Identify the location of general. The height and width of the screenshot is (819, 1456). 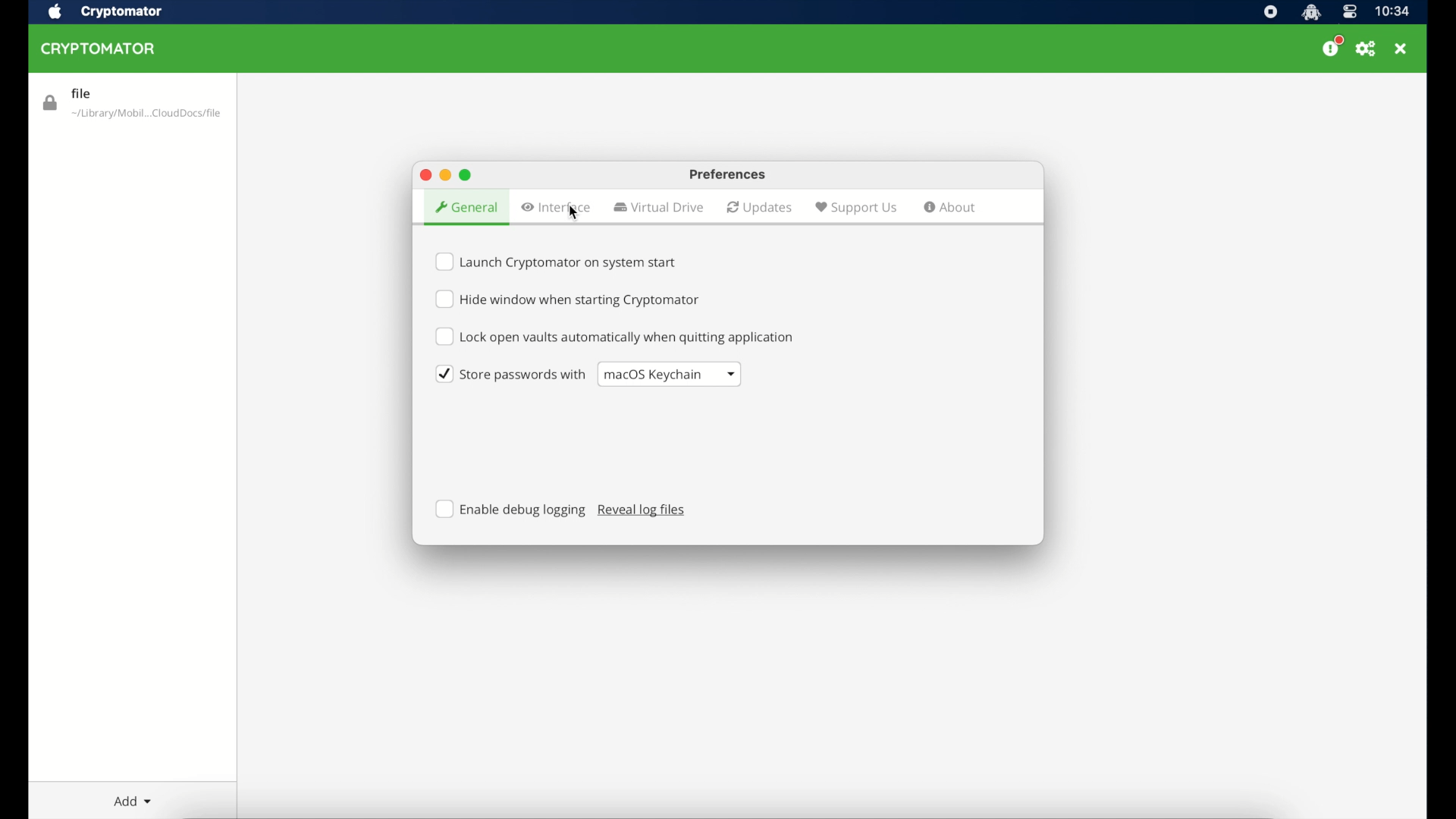
(466, 209).